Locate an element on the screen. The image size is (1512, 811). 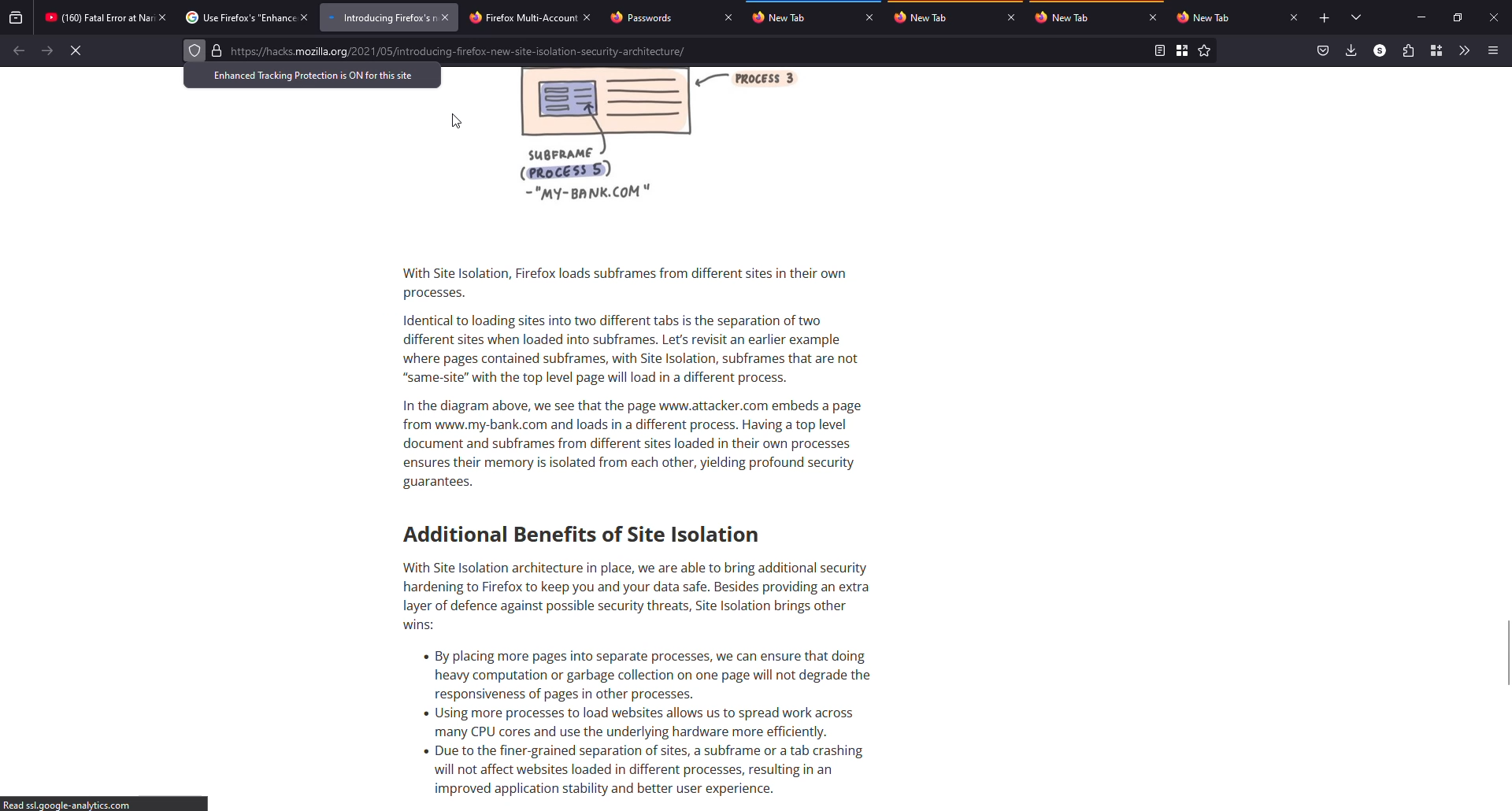
close is located at coordinates (587, 19).